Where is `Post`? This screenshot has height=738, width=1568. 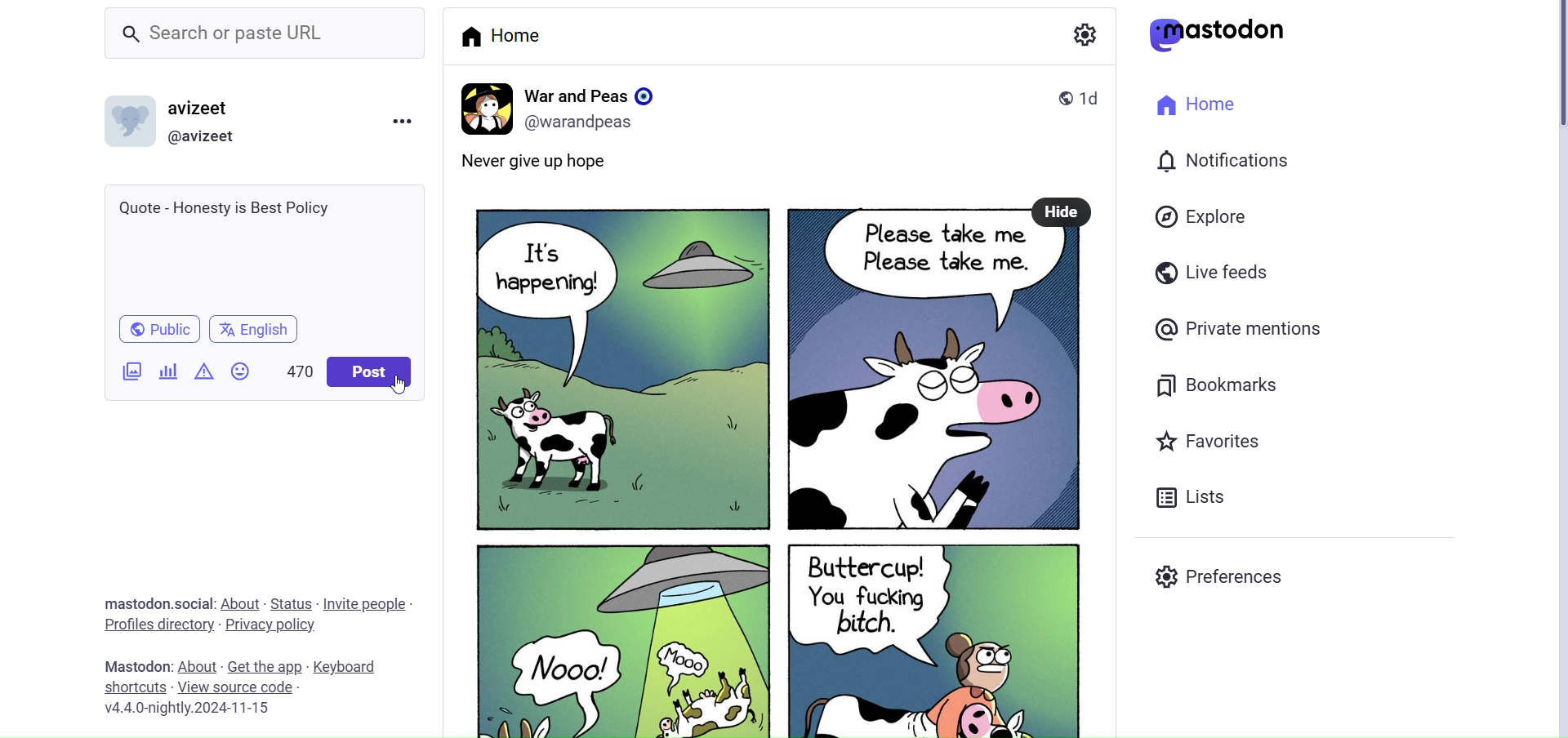 Post is located at coordinates (369, 373).